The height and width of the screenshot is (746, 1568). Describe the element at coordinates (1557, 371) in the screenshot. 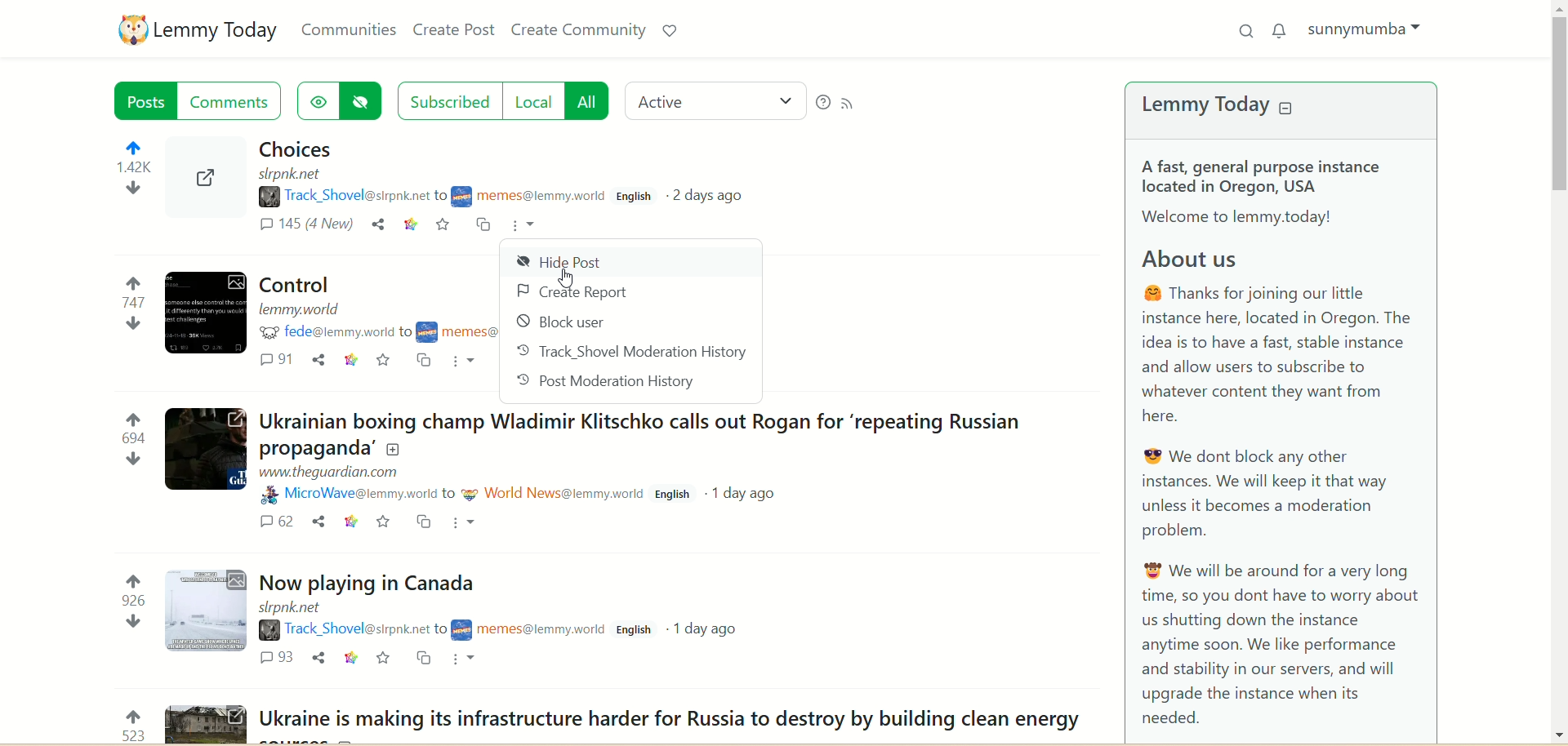

I see `vertical scroll bar` at that location.